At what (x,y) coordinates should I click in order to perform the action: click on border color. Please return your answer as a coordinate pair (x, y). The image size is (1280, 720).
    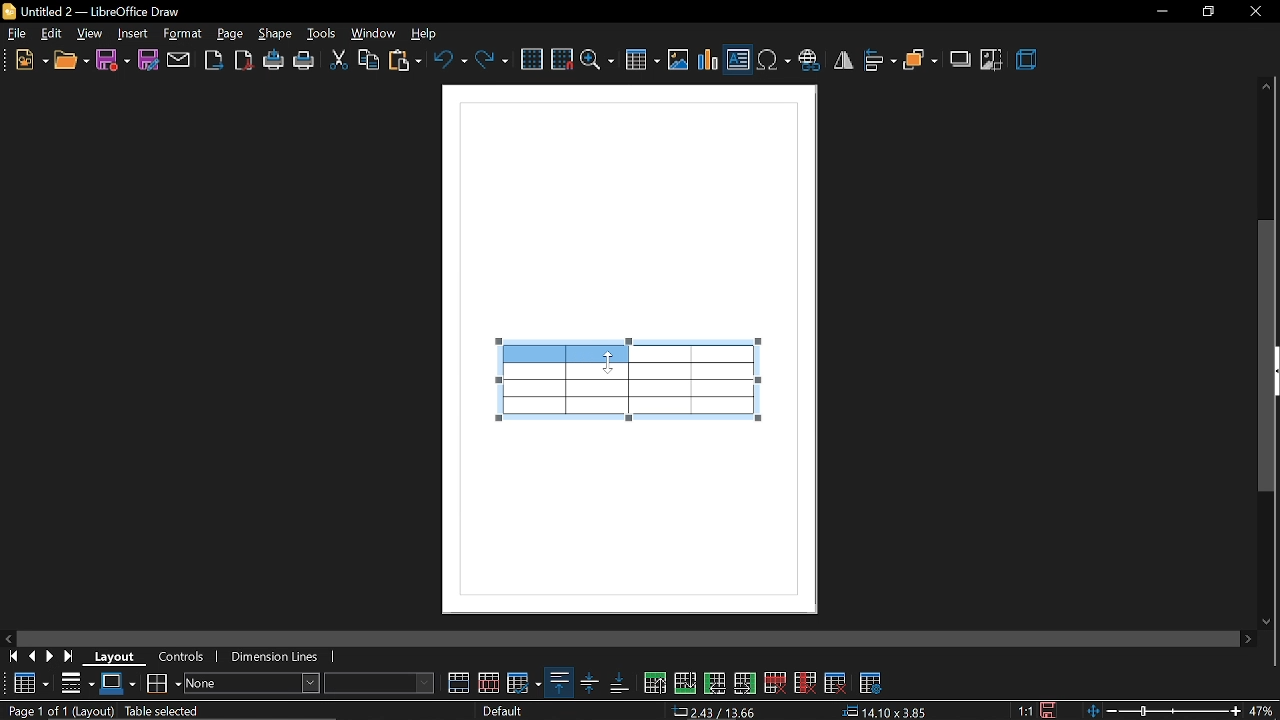
    Looking at the image, I should click on (118, 683).